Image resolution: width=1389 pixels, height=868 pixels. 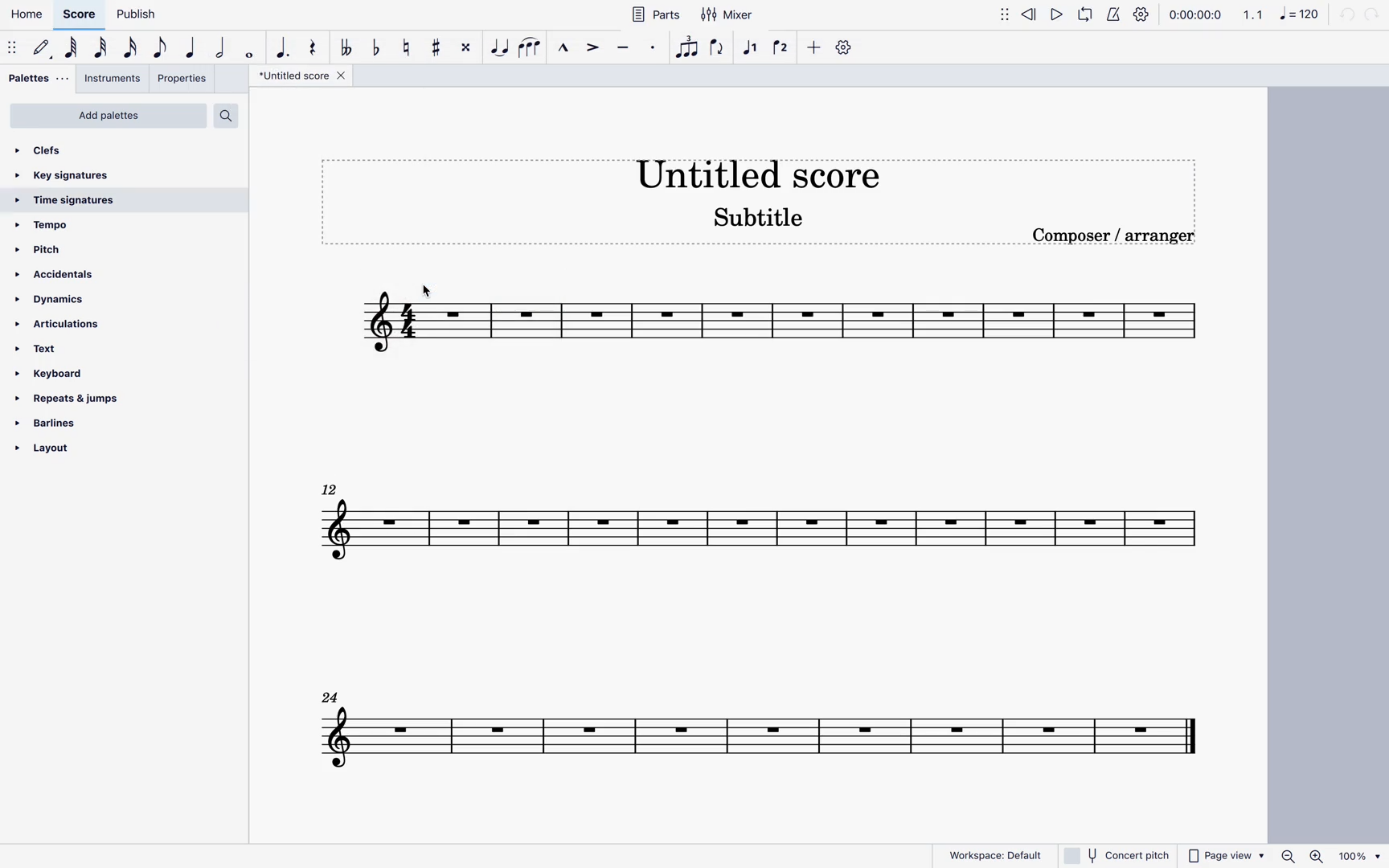 What do you see at coordinates (1117, 854) in the screenshot?
I see `concert pitch` at bounding box center [1117, 854].